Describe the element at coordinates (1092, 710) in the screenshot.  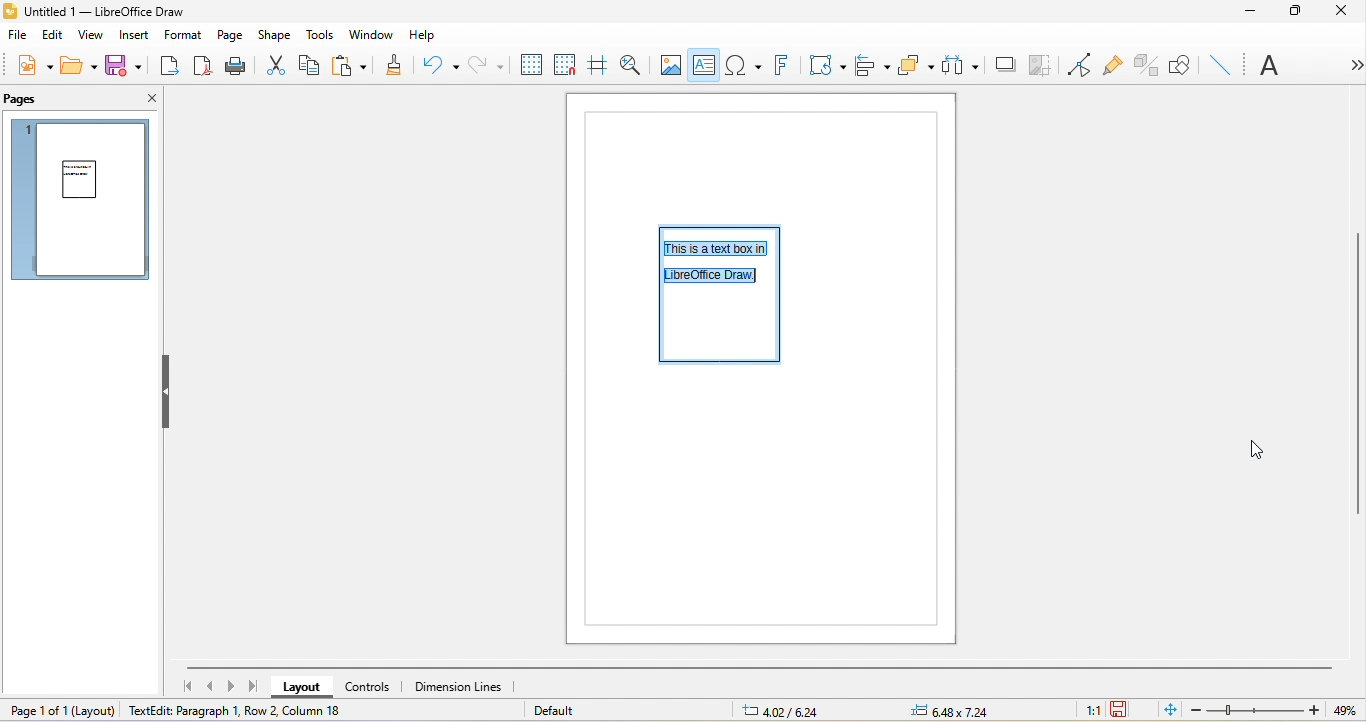
I see `1:1` at that location.